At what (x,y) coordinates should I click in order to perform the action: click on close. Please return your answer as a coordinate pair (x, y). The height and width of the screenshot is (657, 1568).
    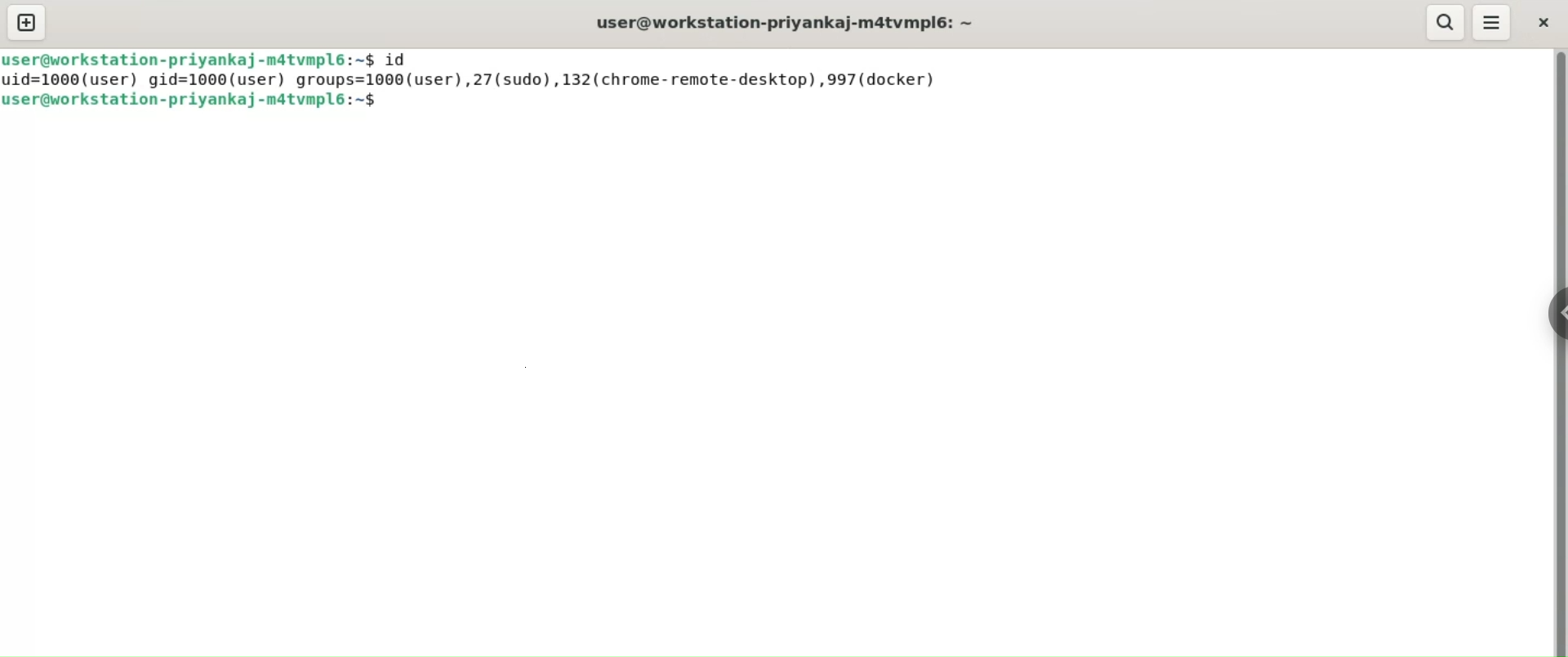
    Looking at the image, I should click on (1546, 23).